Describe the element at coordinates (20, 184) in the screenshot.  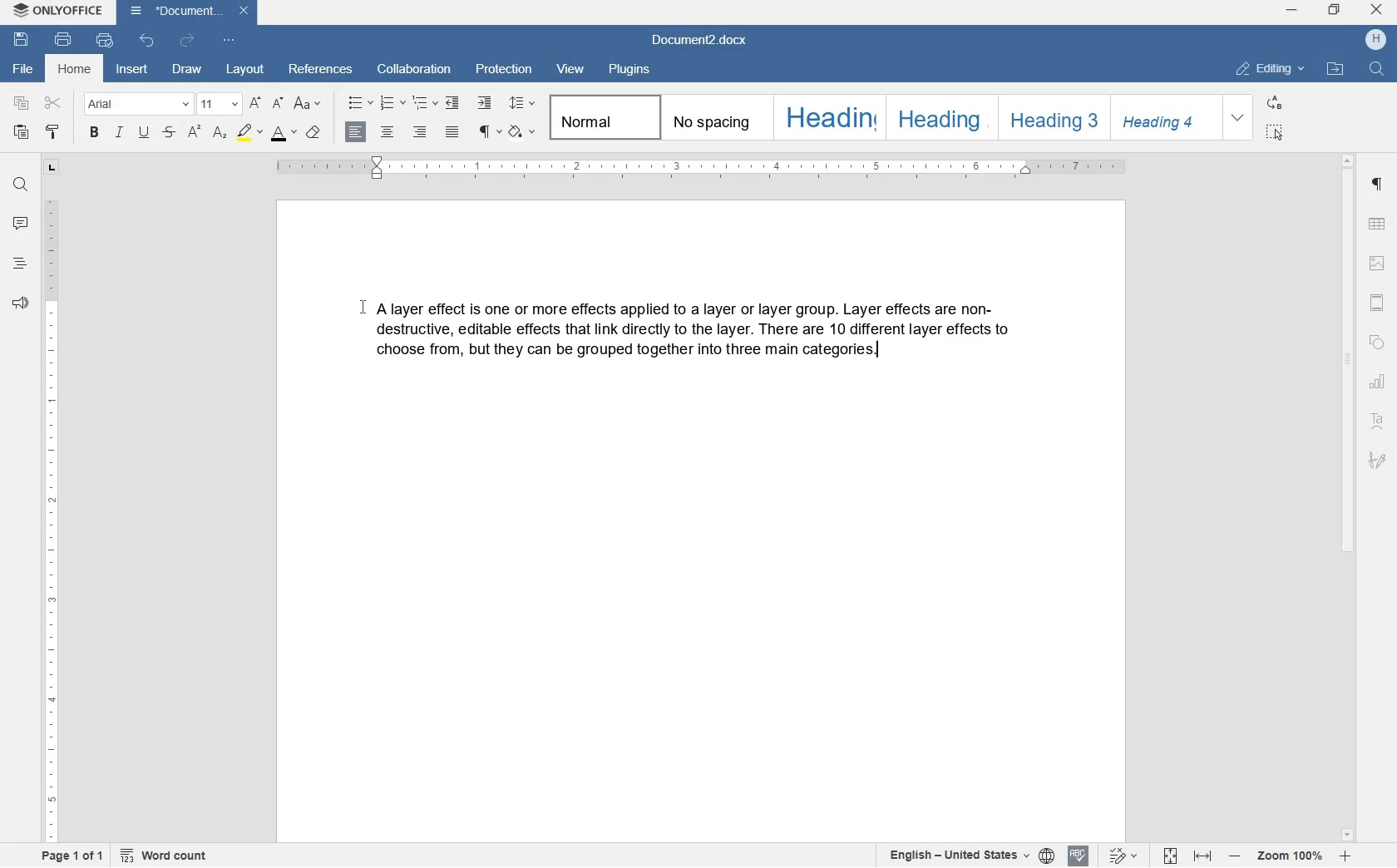
I see `find` at that location.